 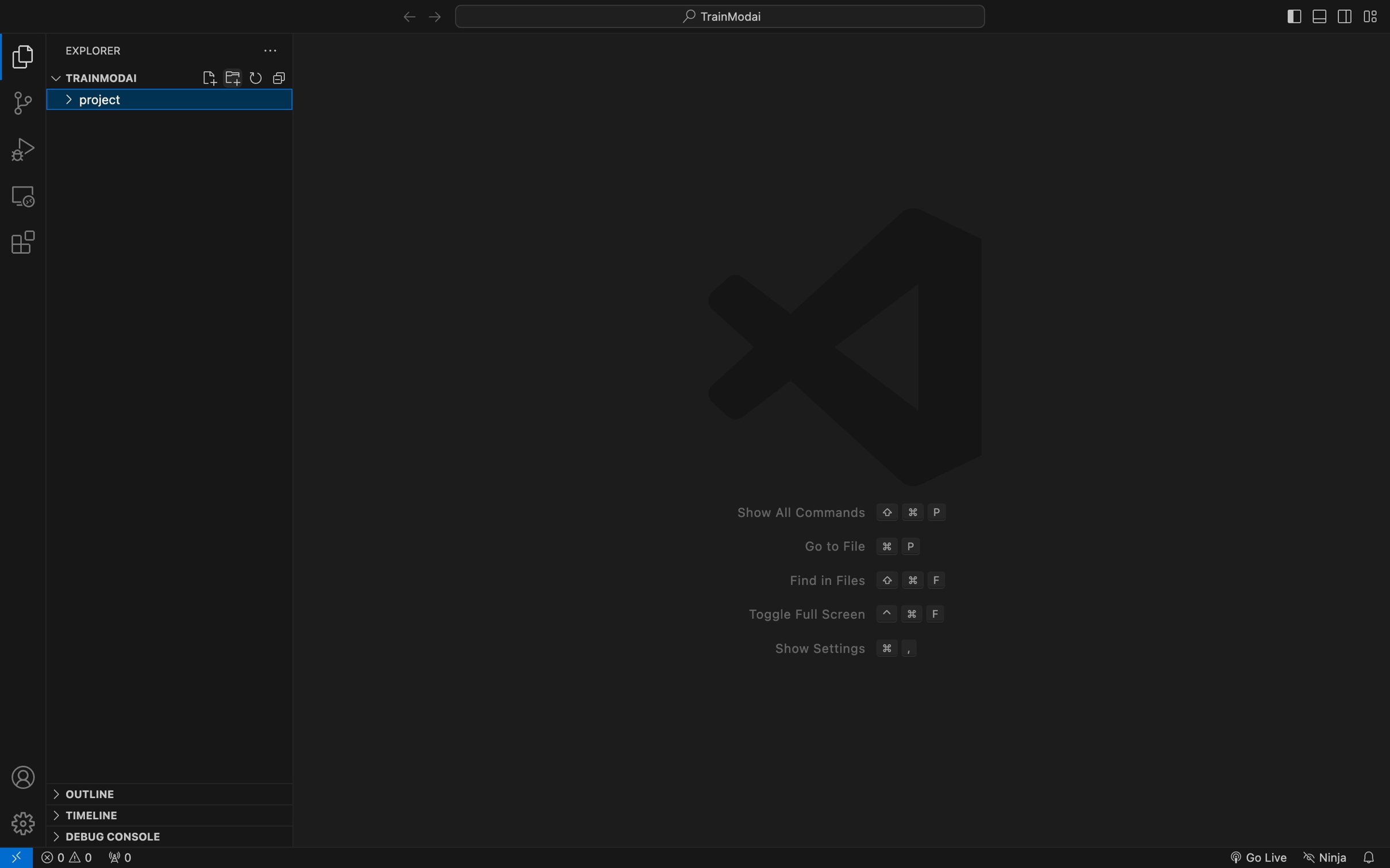 What do you see at coordinates (836, 510) in the screenshot?
I see `Show all commands` at bounding box center [836, 510].